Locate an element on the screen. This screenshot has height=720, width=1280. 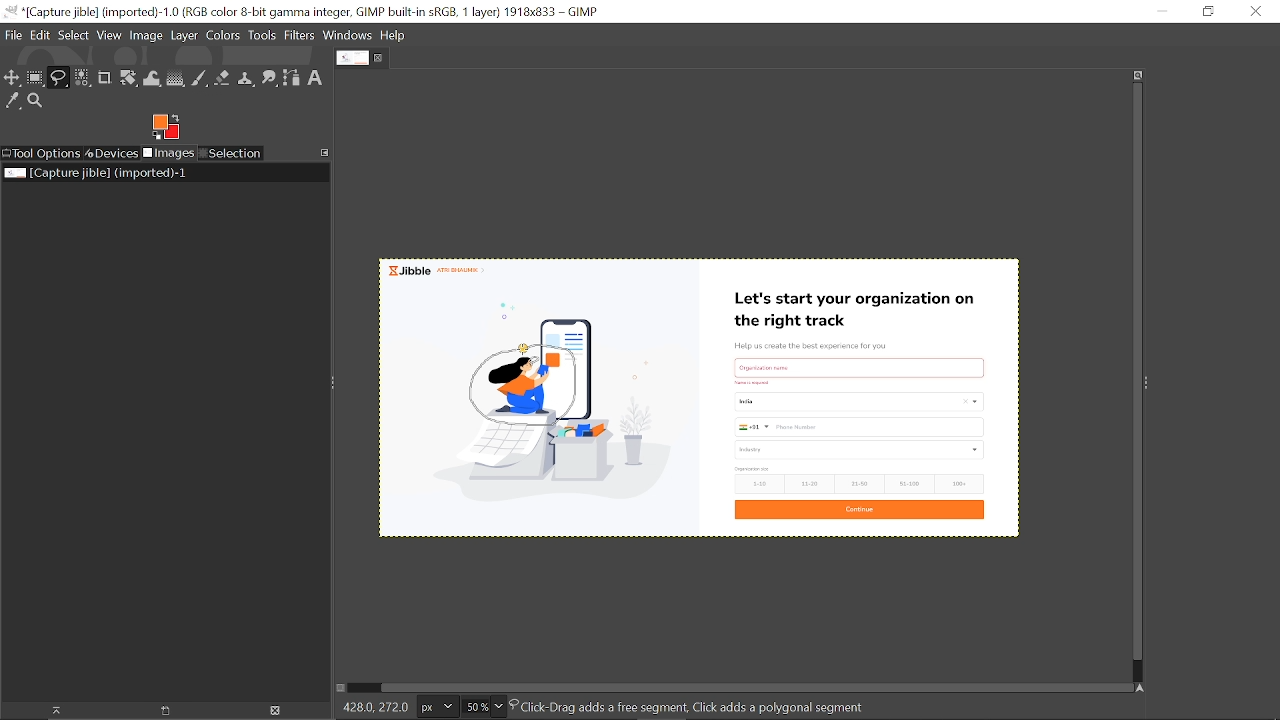
Cursor here is located at coordinates (525, 350).